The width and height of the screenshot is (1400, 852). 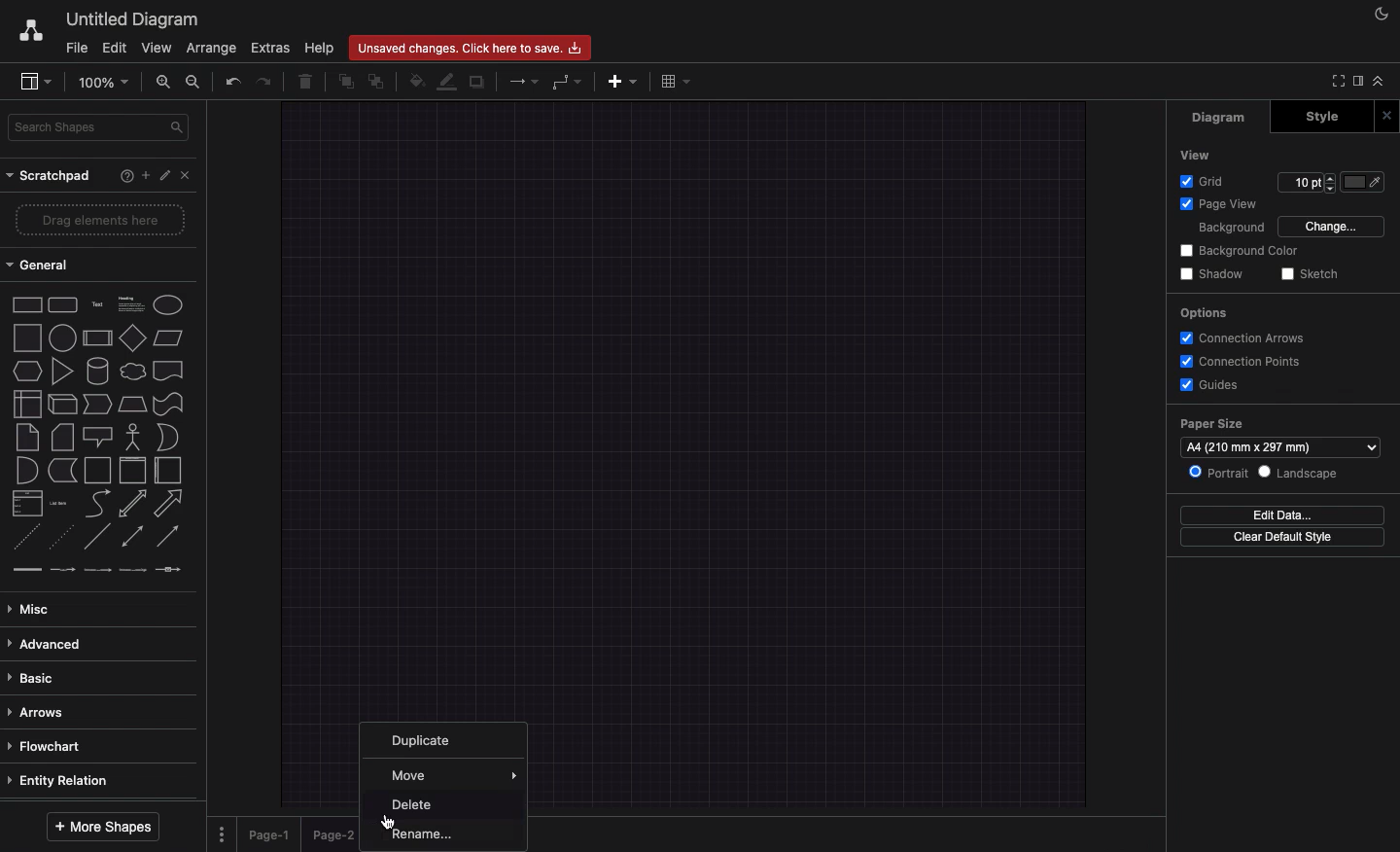 I want to click on Table, so click(x=680, y=83).